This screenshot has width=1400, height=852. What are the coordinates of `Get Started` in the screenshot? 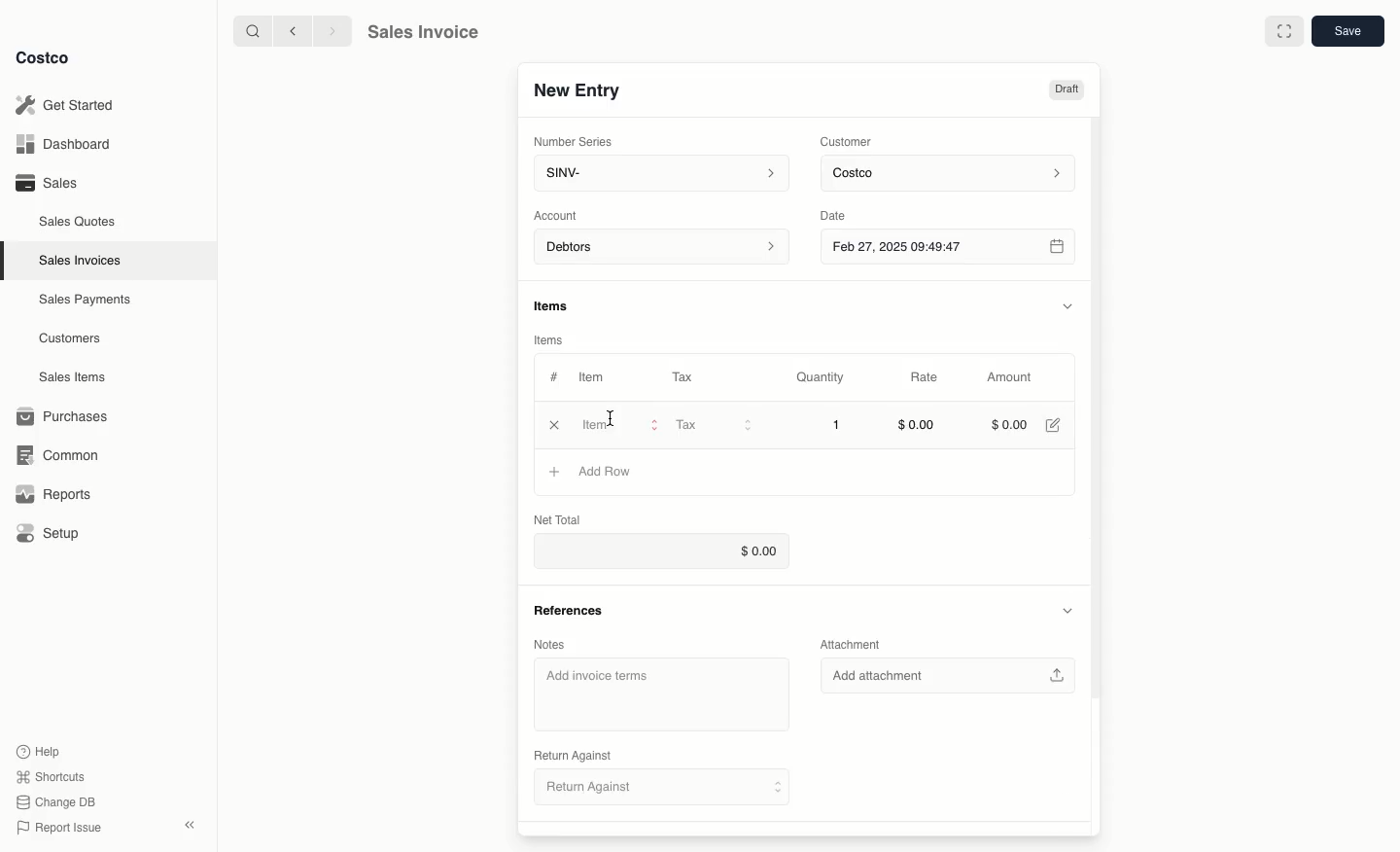 It's located at (68, 105).